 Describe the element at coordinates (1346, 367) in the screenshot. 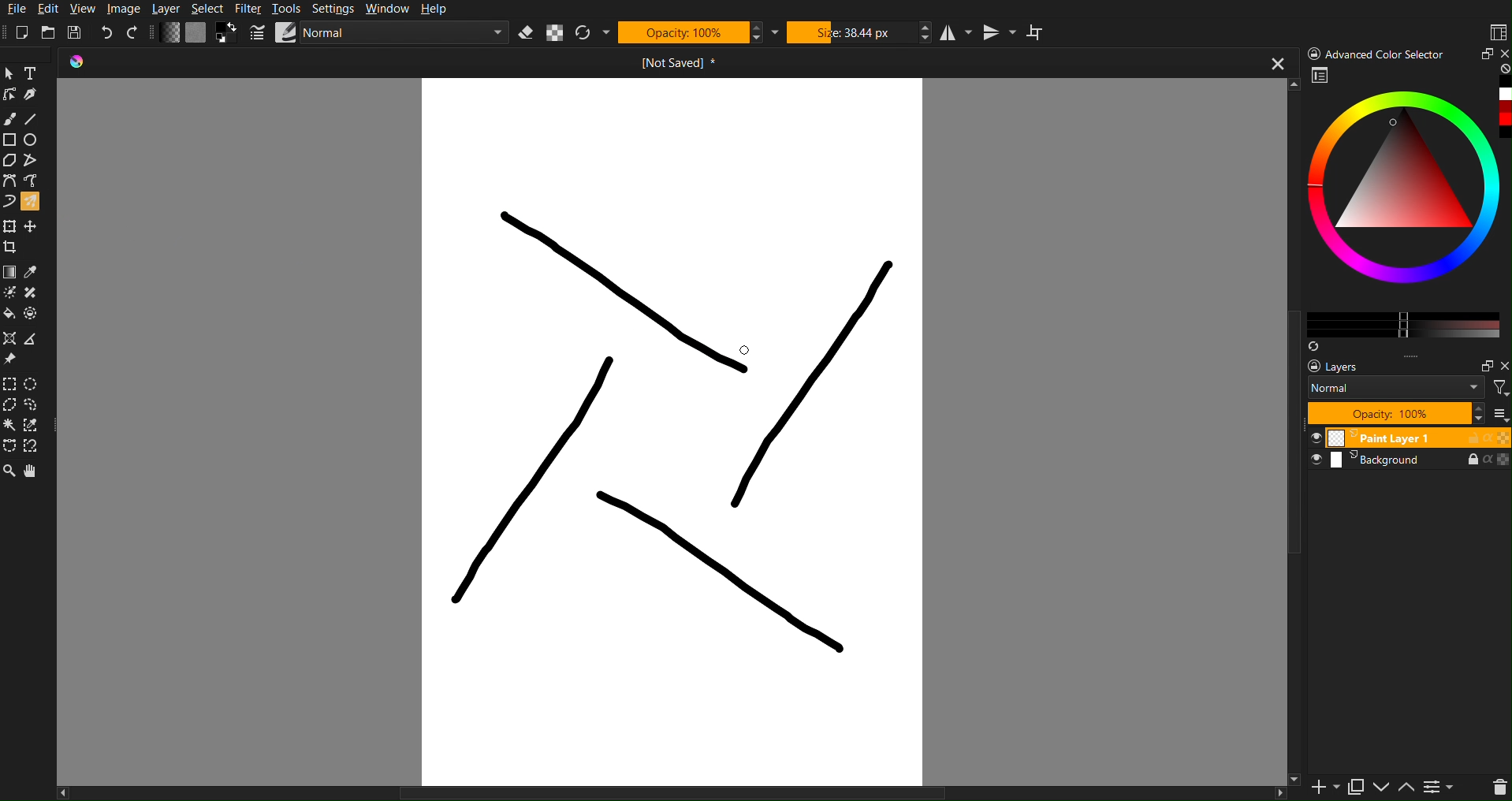

I see `layers` at that location.